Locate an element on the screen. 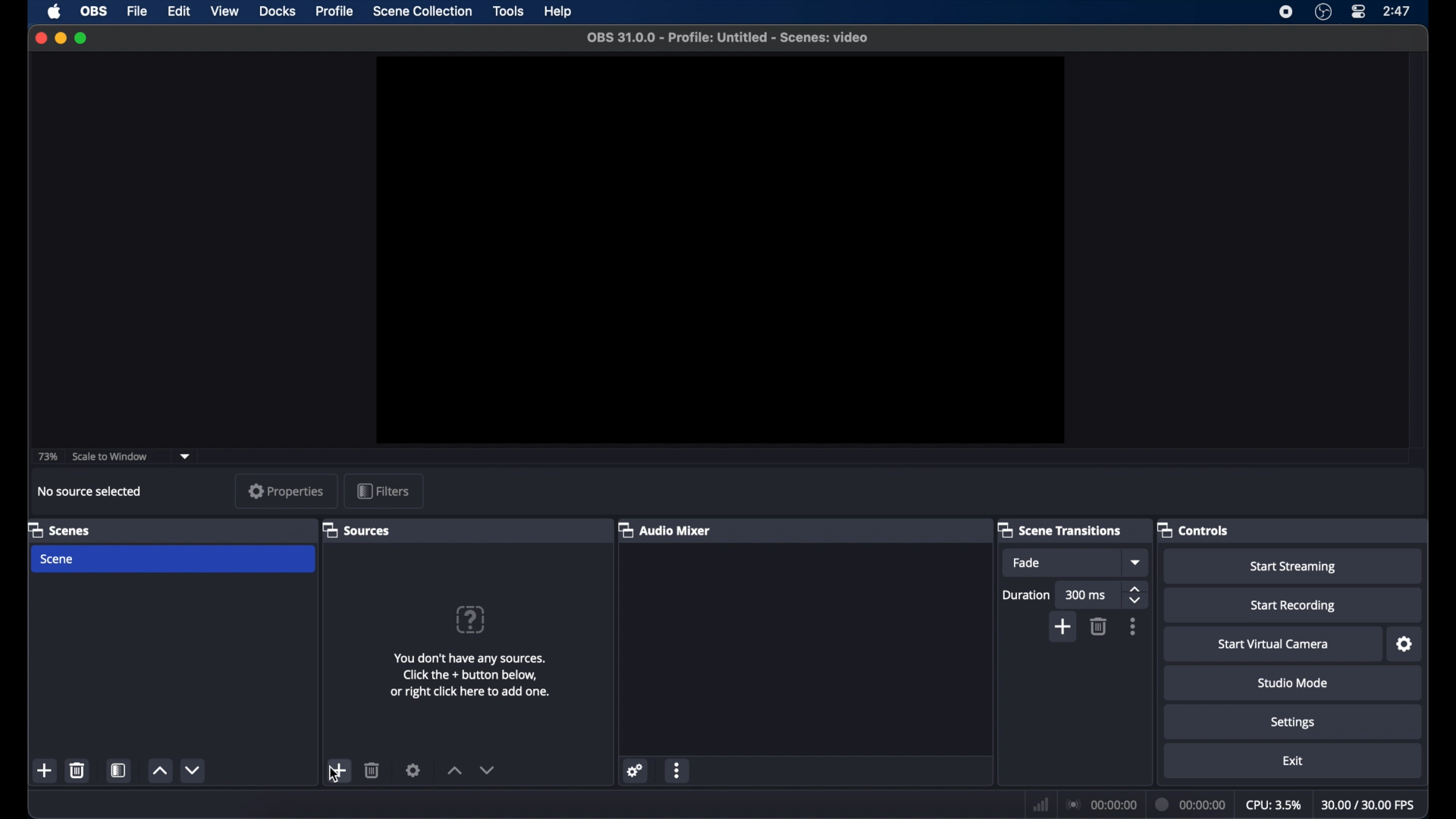  dropdown is located at coordinates (1137, 562).